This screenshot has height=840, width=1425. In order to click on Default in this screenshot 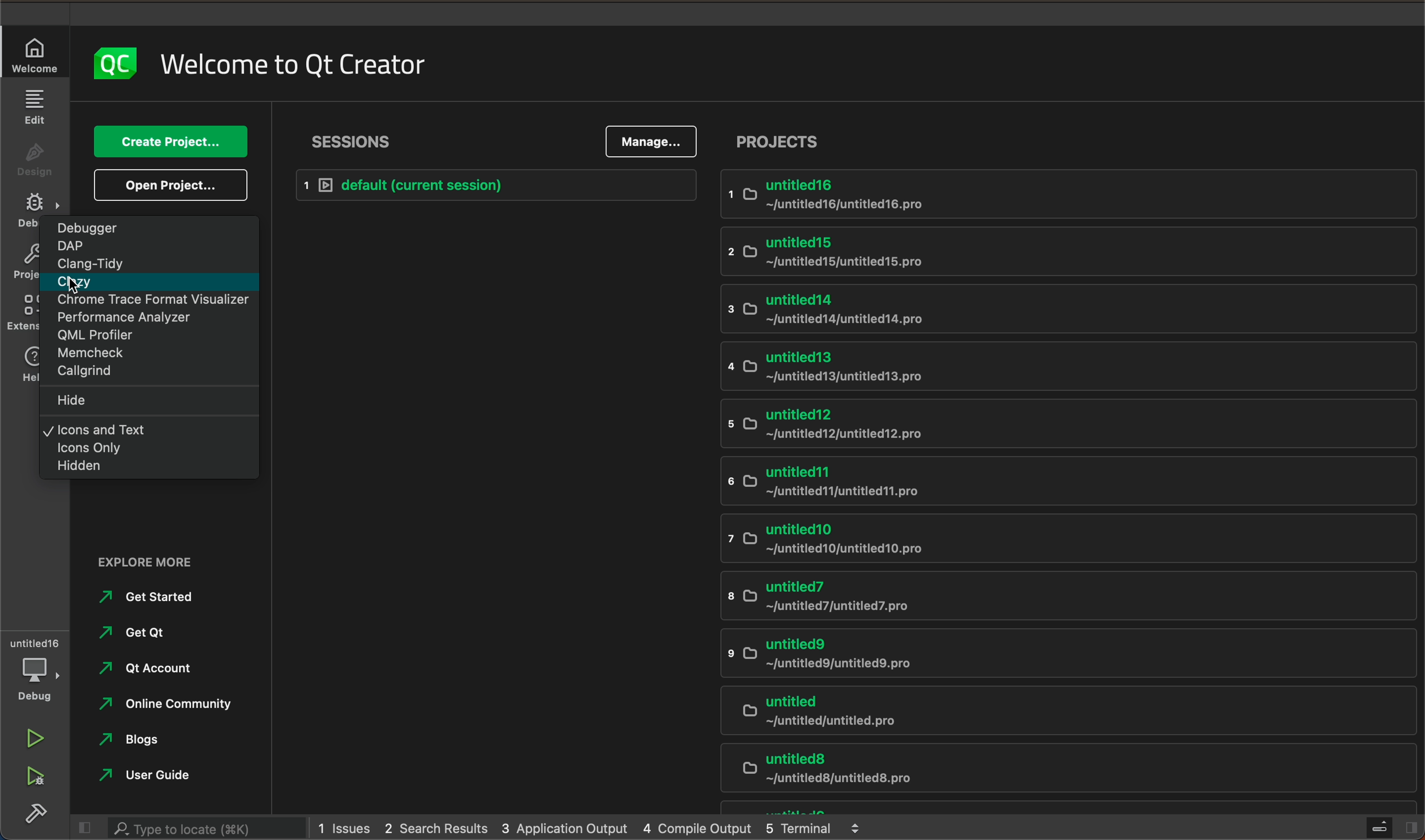, I will do `click(490, 183)`.